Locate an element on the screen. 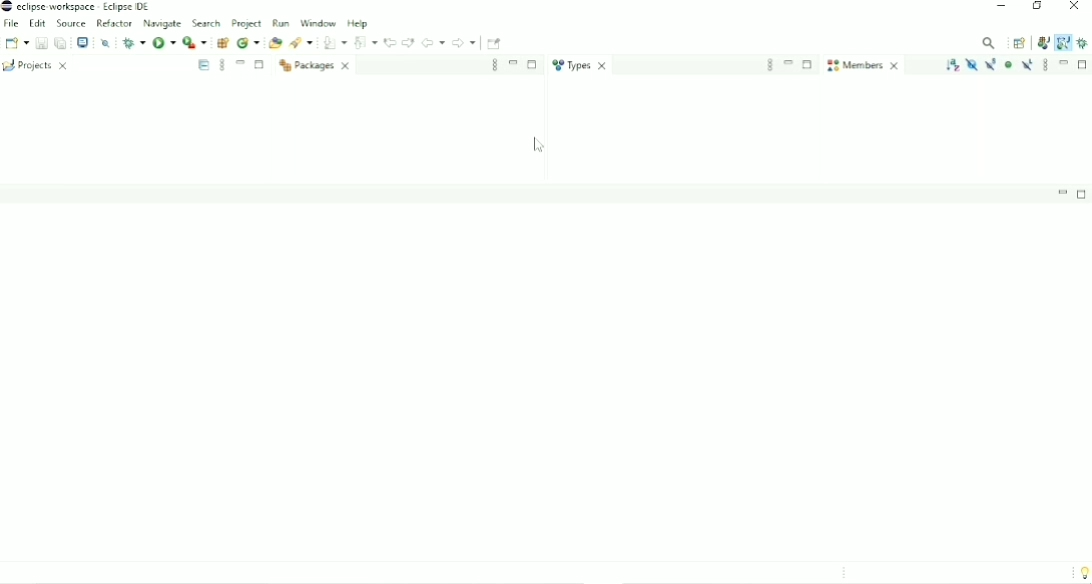 This screenshot has width=1092, height=584. Edit is located at coordinates (38, 23).